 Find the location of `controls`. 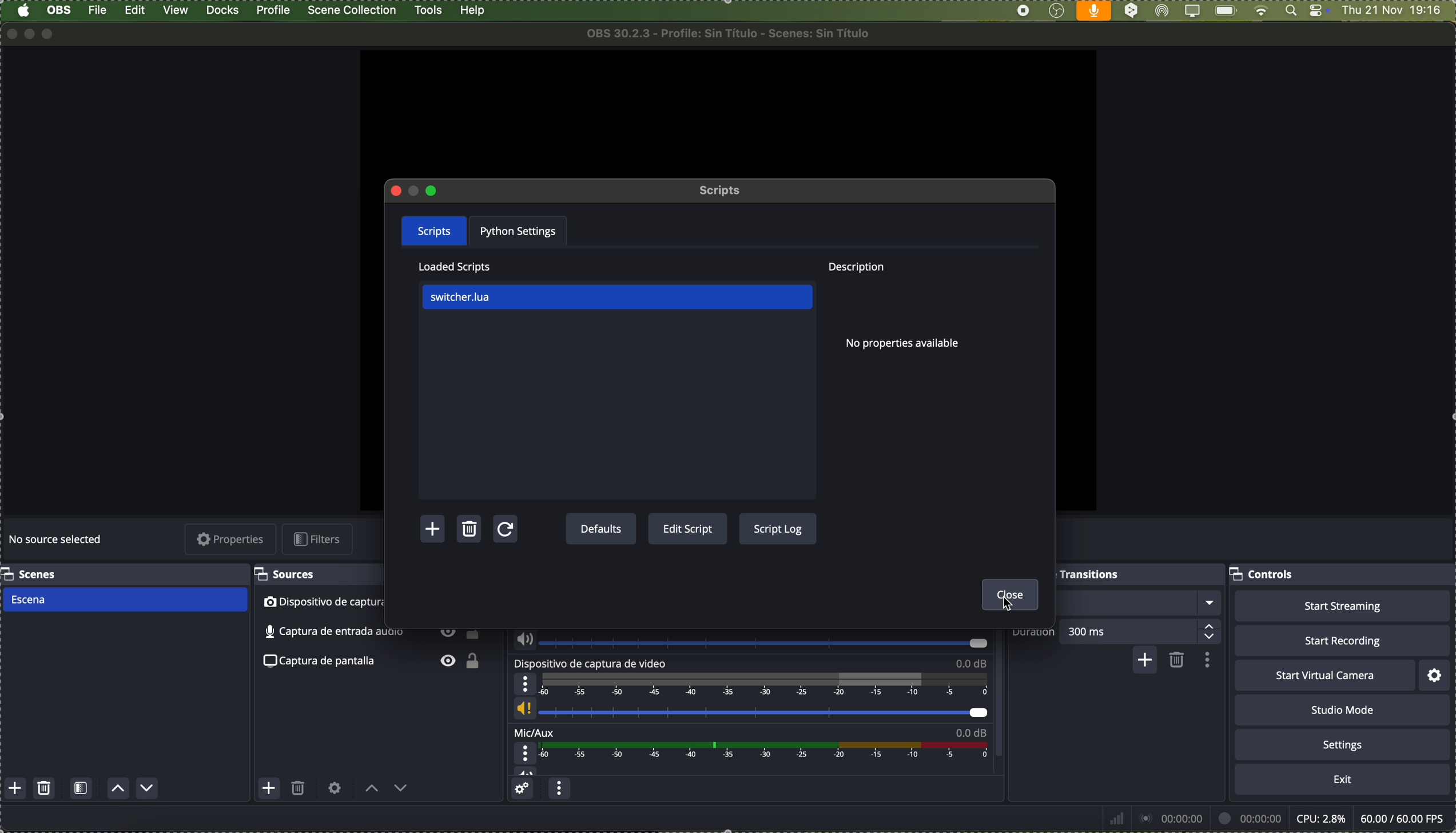

controls is located at coordinates (1319, 11).